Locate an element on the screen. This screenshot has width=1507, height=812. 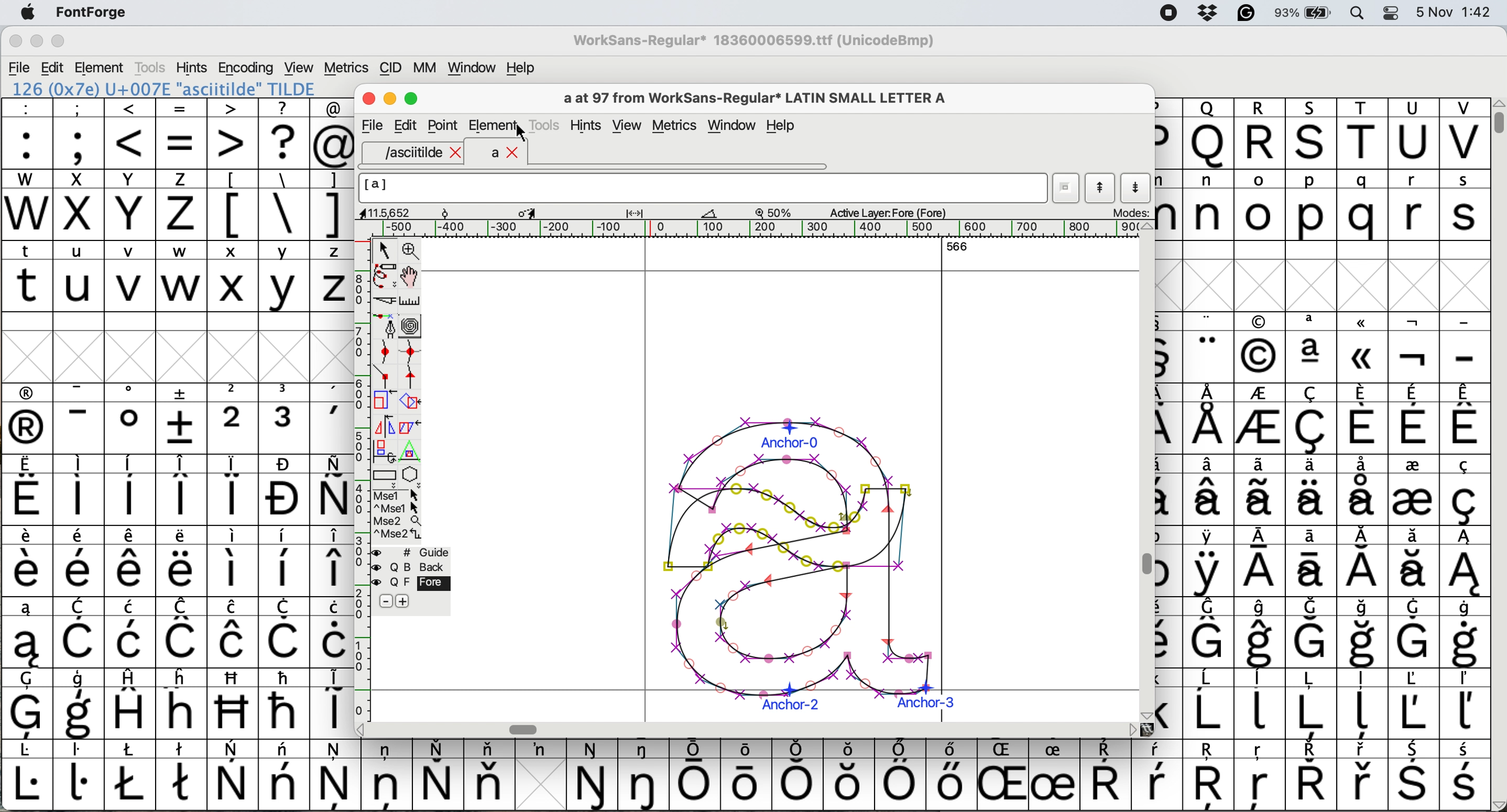
screen recorder is located at coordinates (1167, 14).